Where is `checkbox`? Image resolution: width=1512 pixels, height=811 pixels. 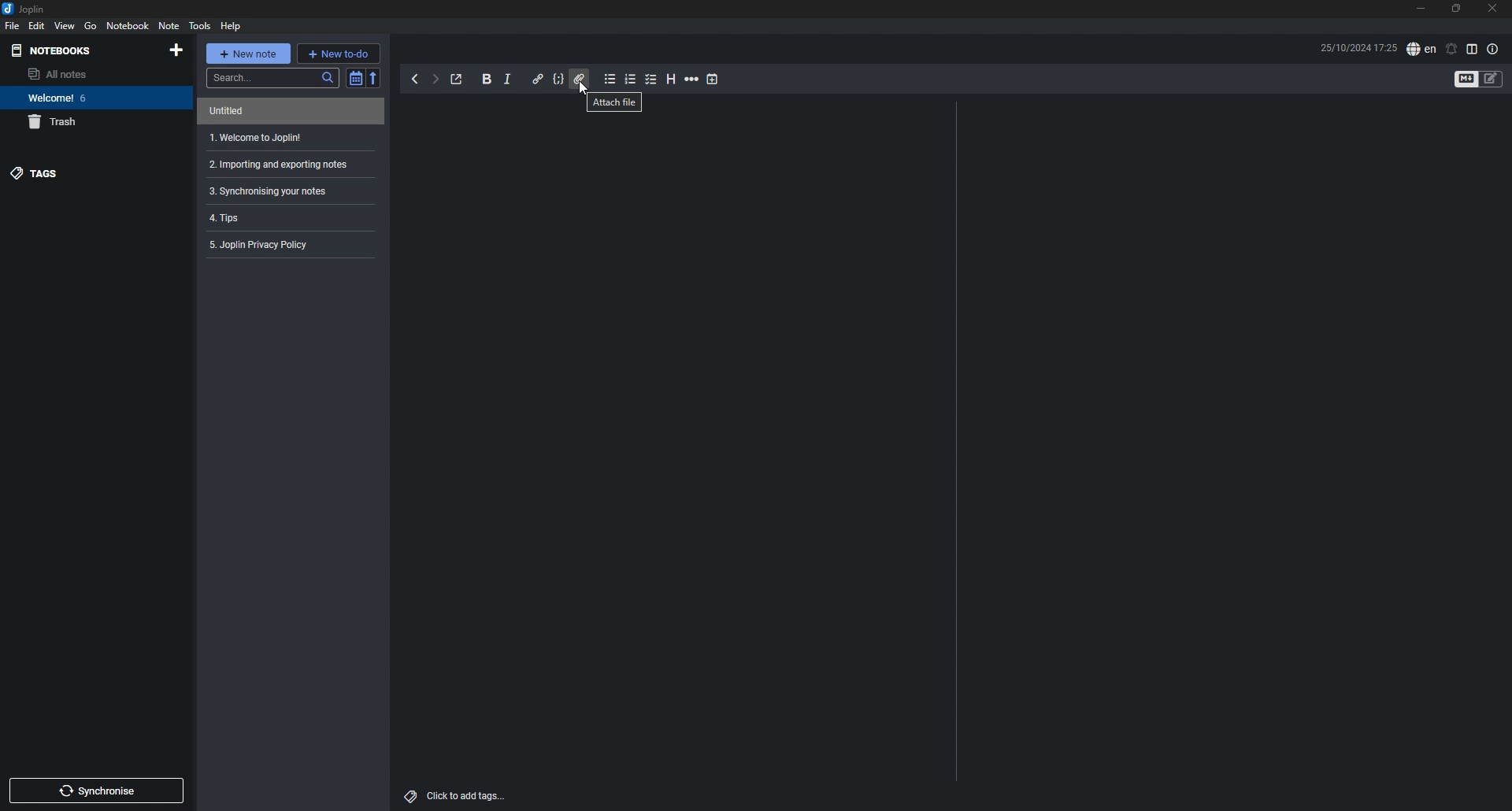
checkbox is located at coordinates (652, 80).